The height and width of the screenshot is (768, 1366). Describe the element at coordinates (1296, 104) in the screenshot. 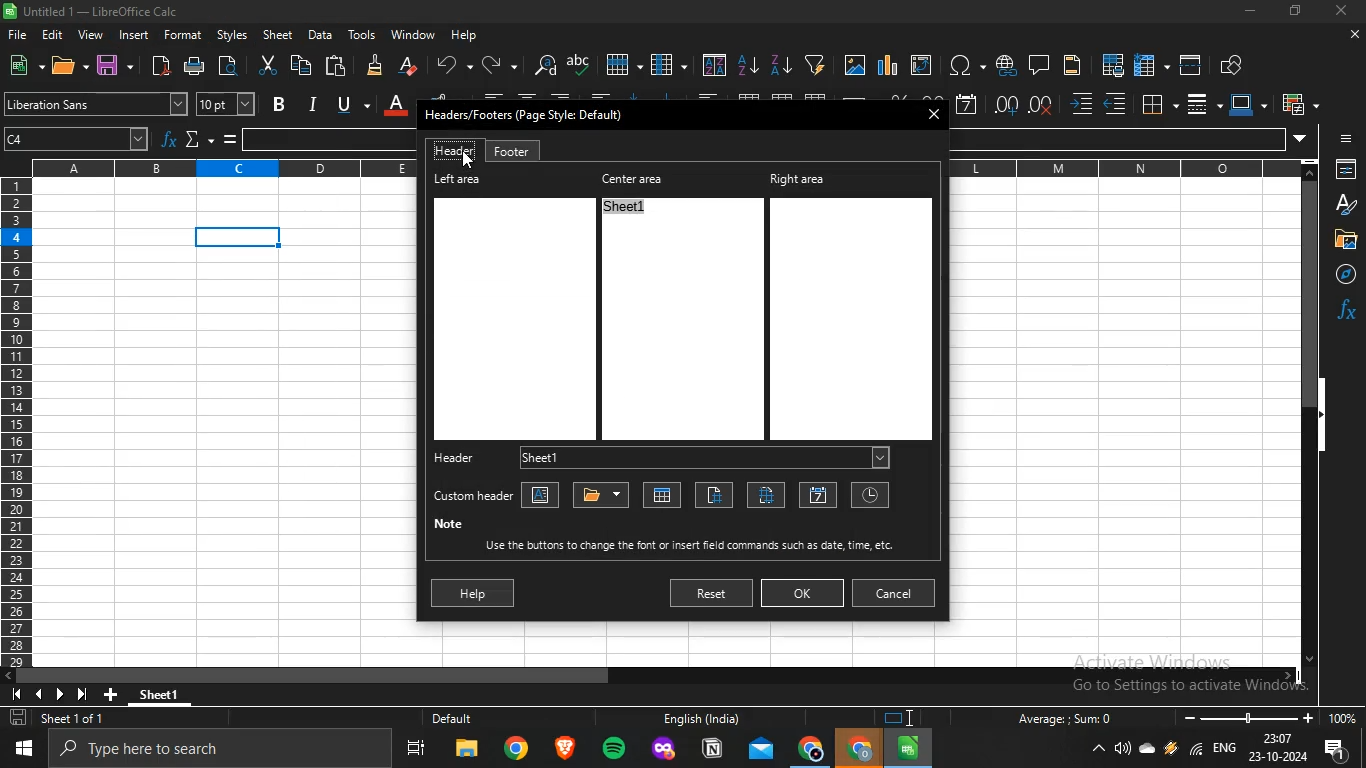

I see `conditional` at that location.